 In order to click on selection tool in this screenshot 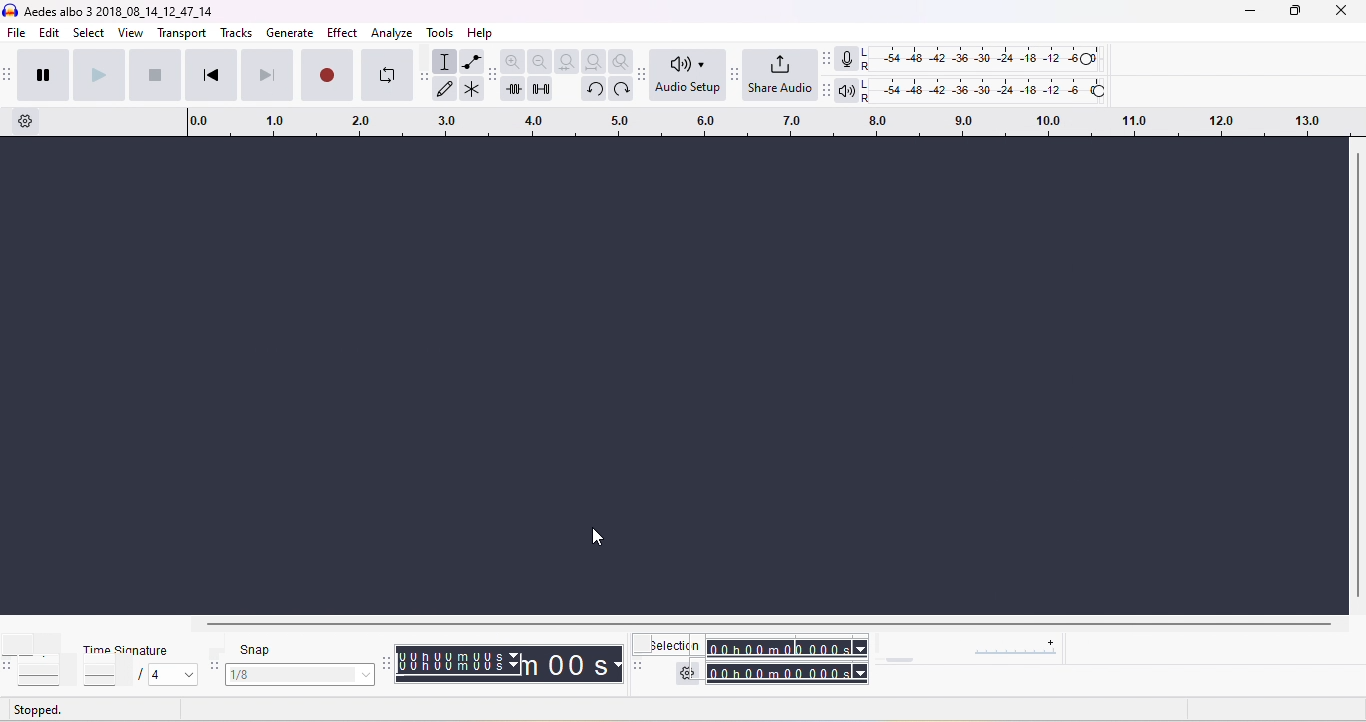, I will do `click(446, 61)`.